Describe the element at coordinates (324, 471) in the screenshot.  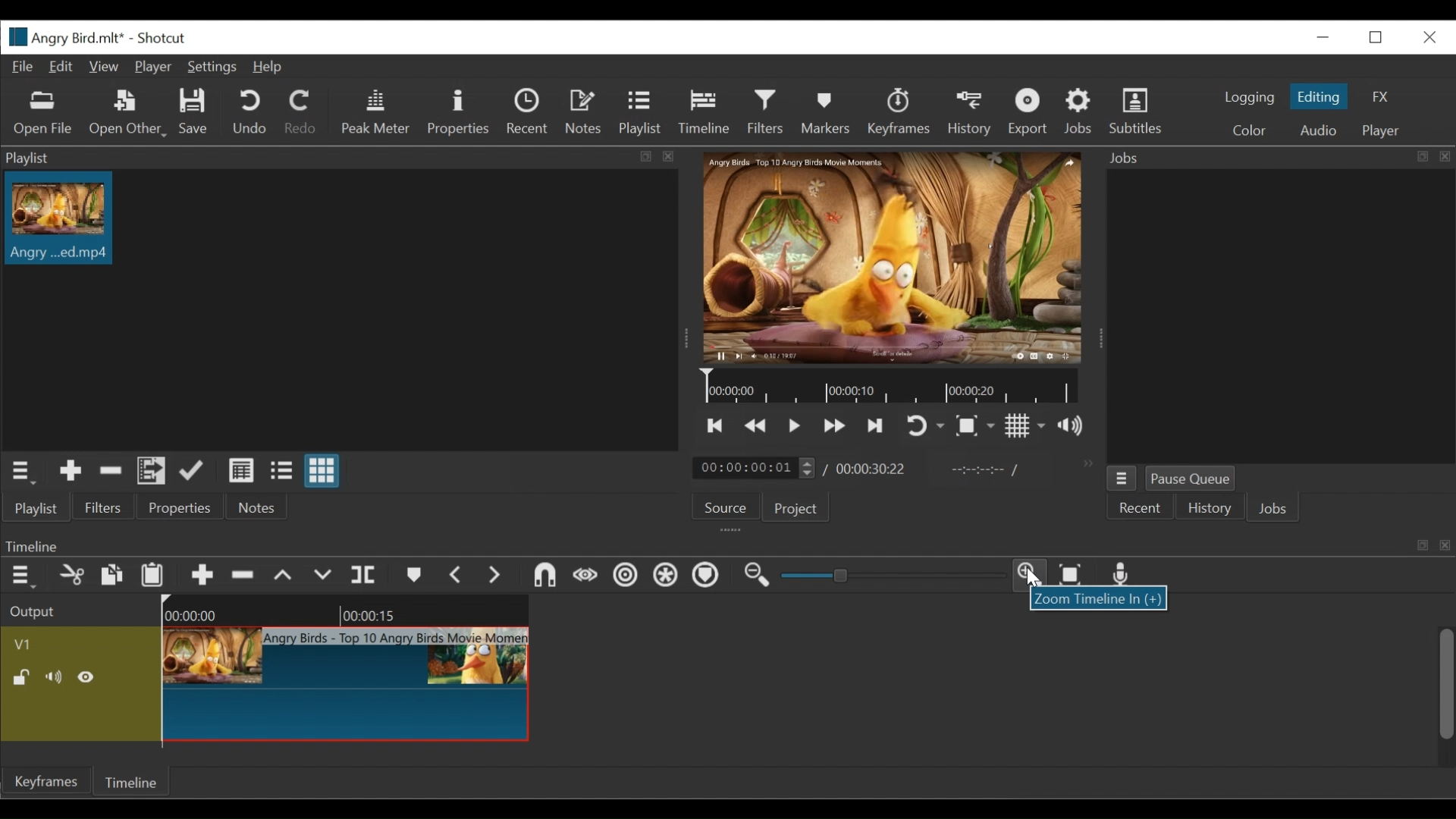
I see `View as icons` at that location.